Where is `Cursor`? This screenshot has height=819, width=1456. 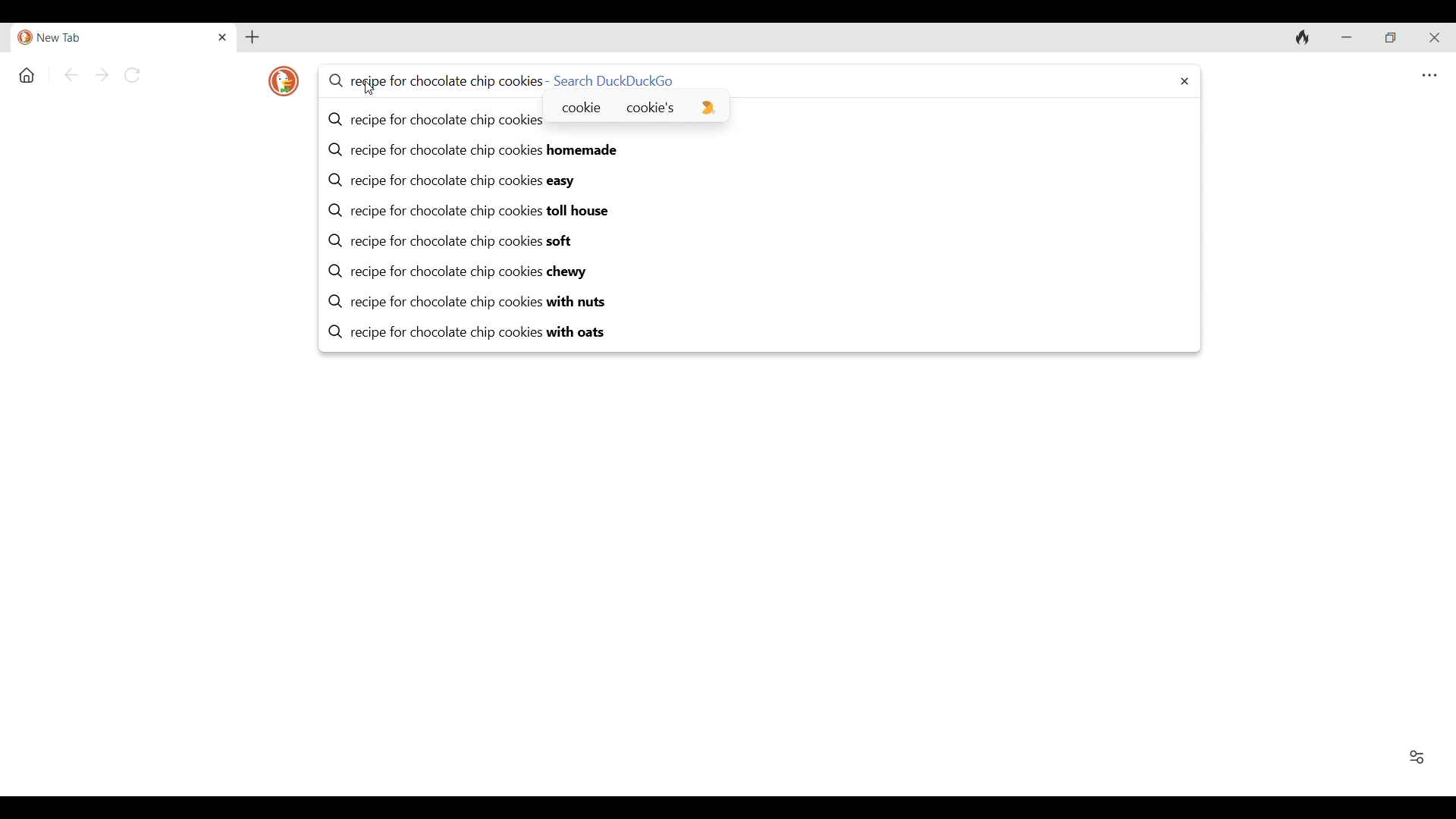 Cursor is located at coordinates (369, 88).